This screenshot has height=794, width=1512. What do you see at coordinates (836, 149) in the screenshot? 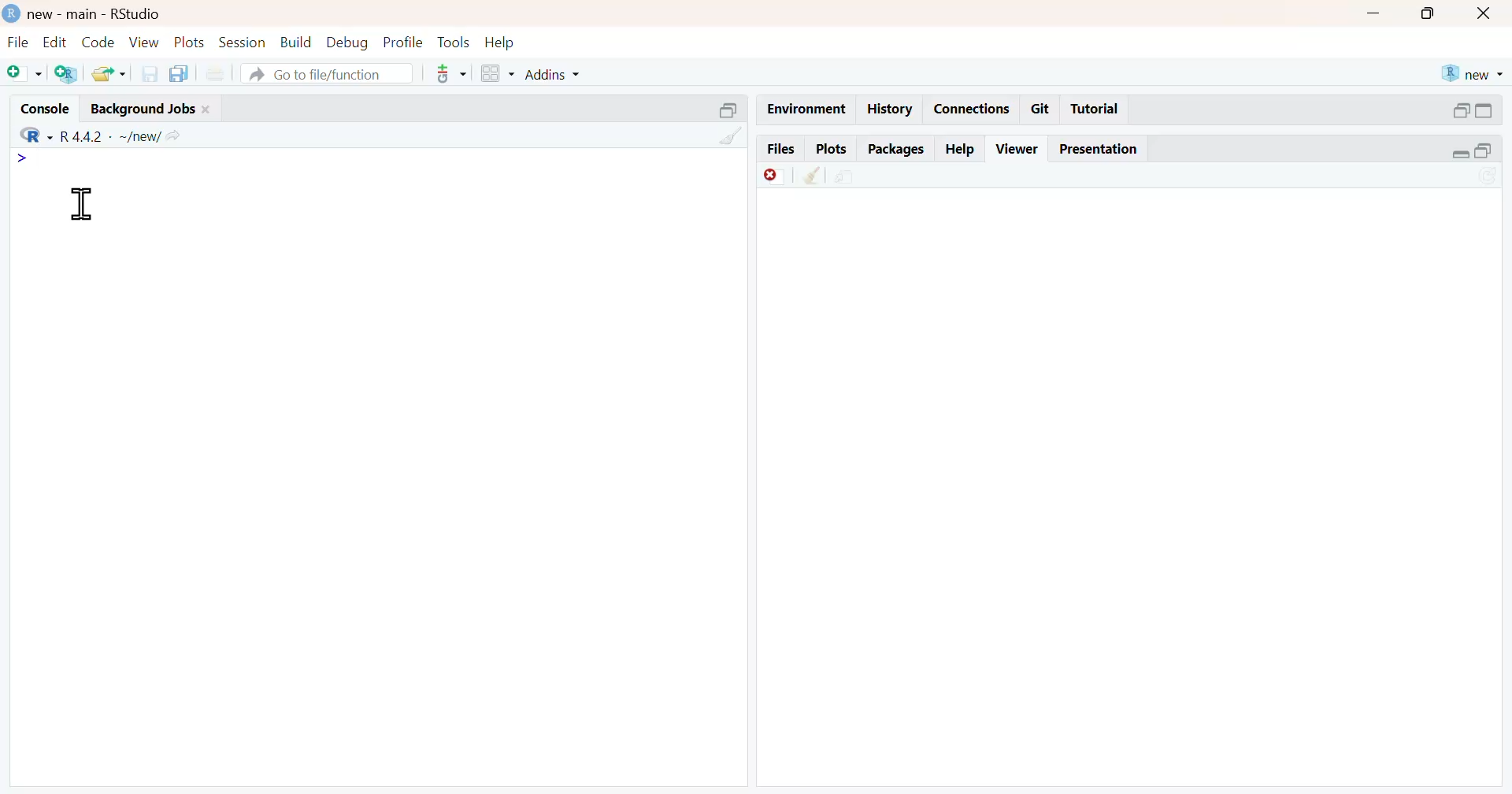
I see `plots` at bounding box center [836, 149].